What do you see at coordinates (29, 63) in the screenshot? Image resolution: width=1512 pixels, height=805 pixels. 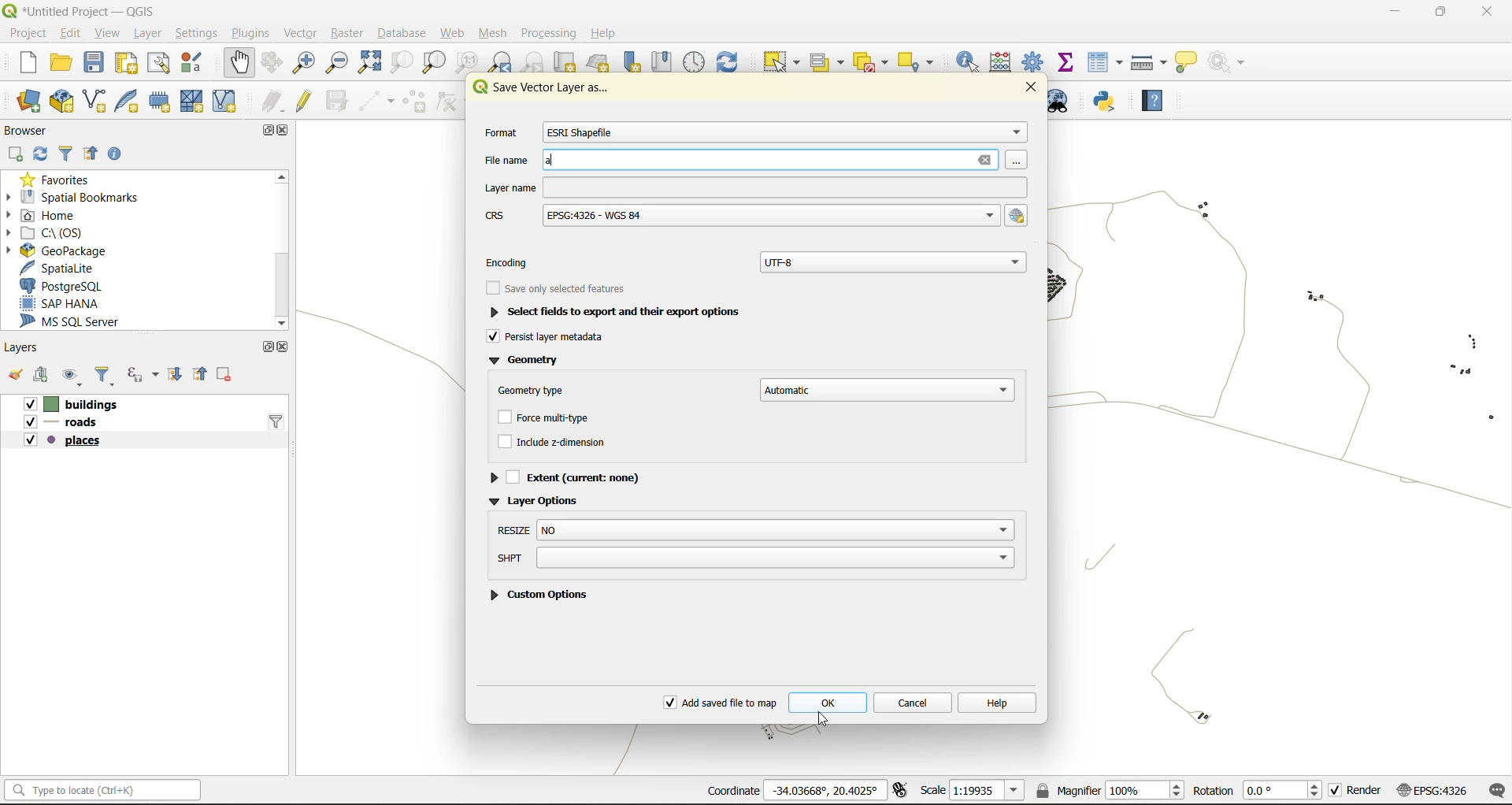 I see `new` at bounding box center [29, 63].